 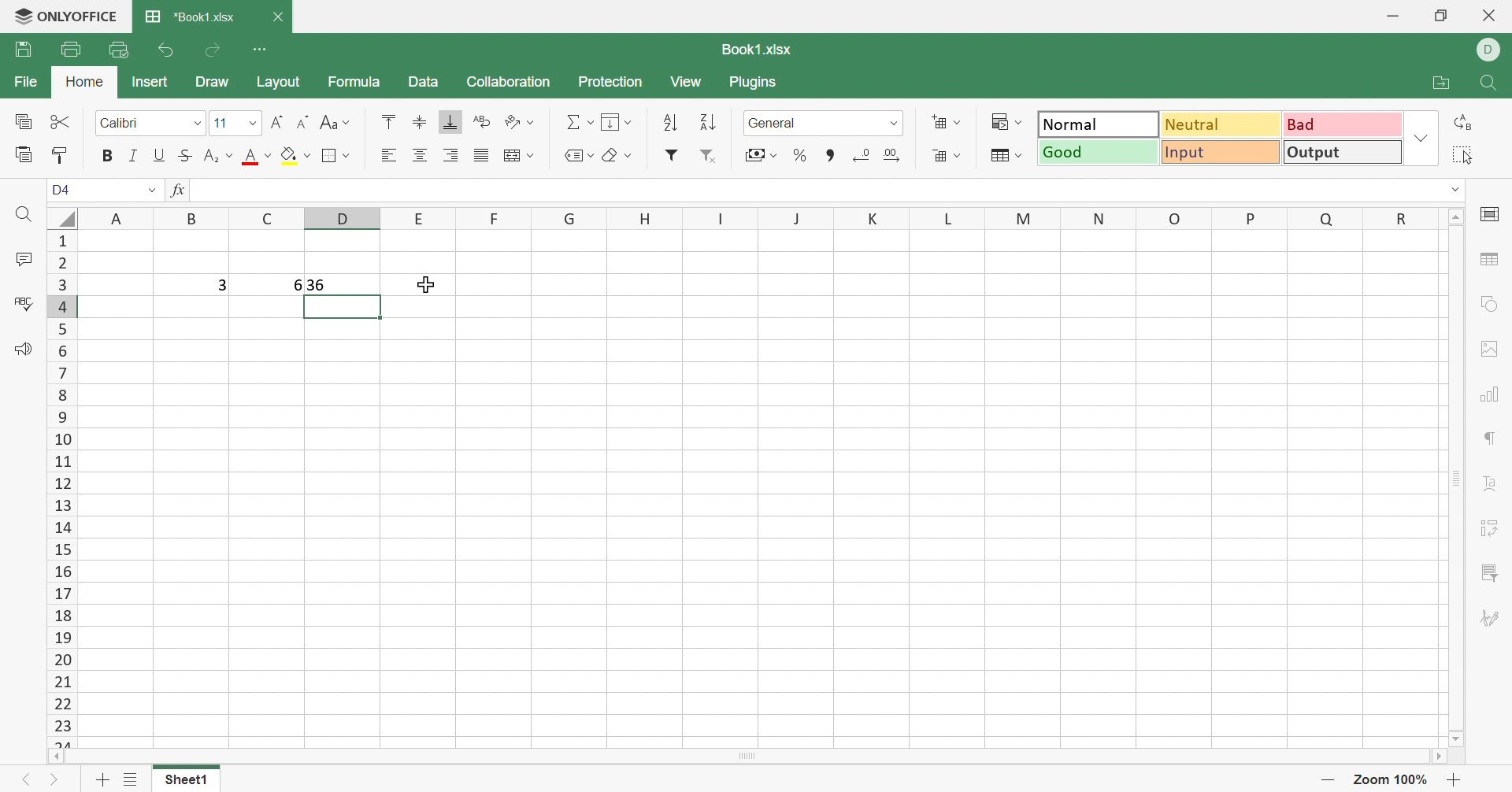 I want to click on Comments, so click(x=24, y=260).